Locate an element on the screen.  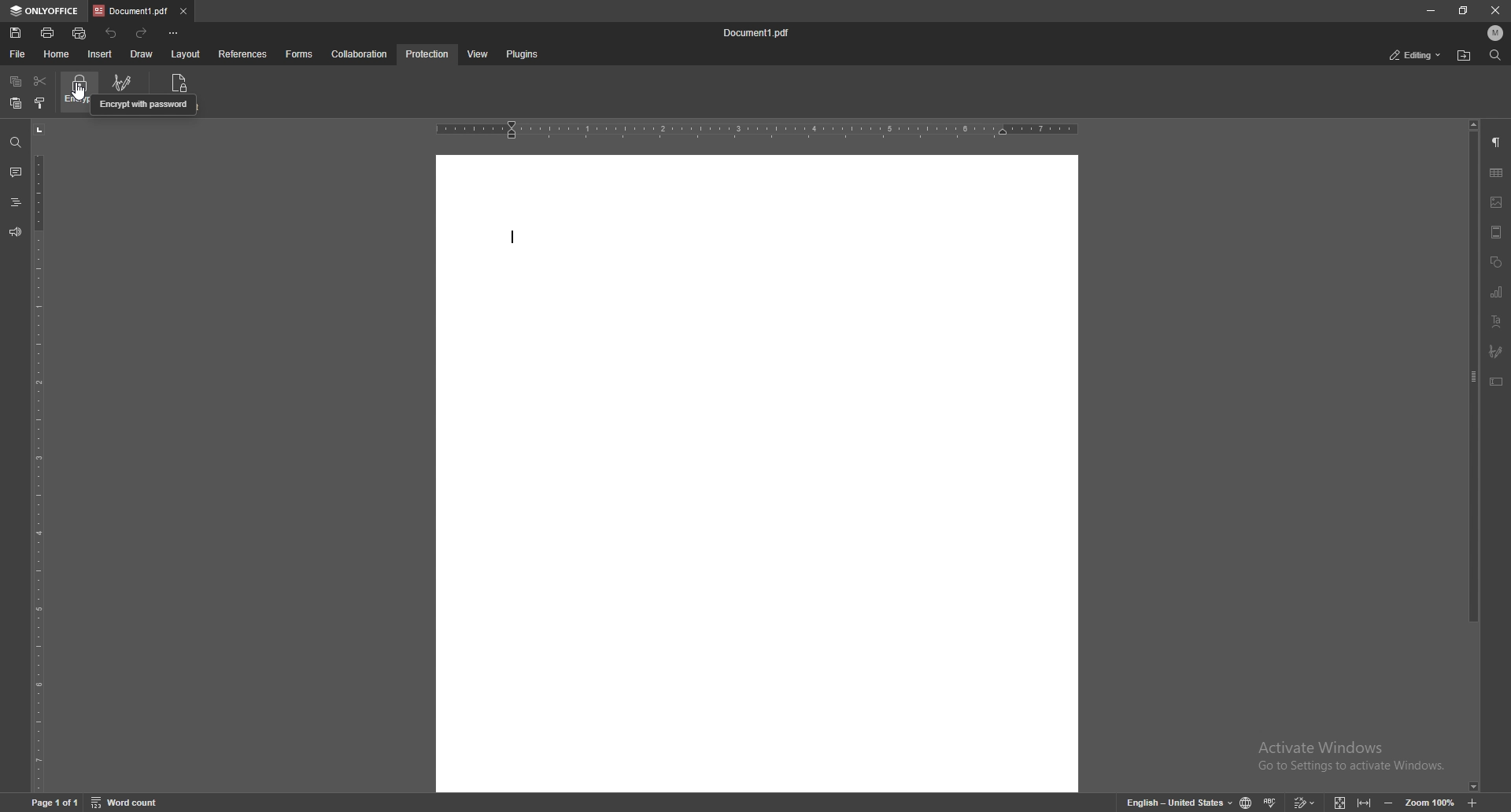
view is located at coordinates (478, 54).